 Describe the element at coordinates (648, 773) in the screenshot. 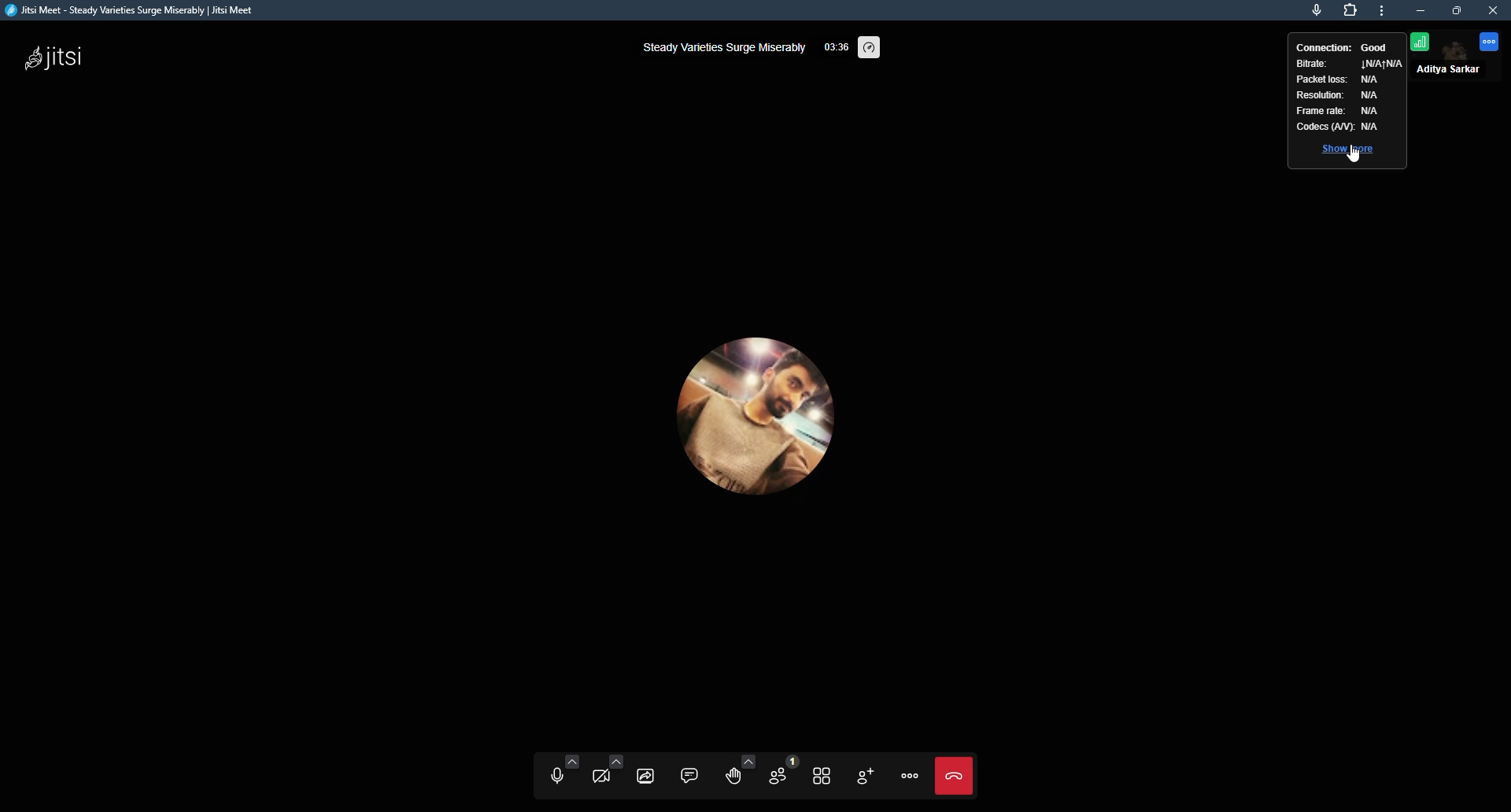

I see `start screen sharing` at that location.